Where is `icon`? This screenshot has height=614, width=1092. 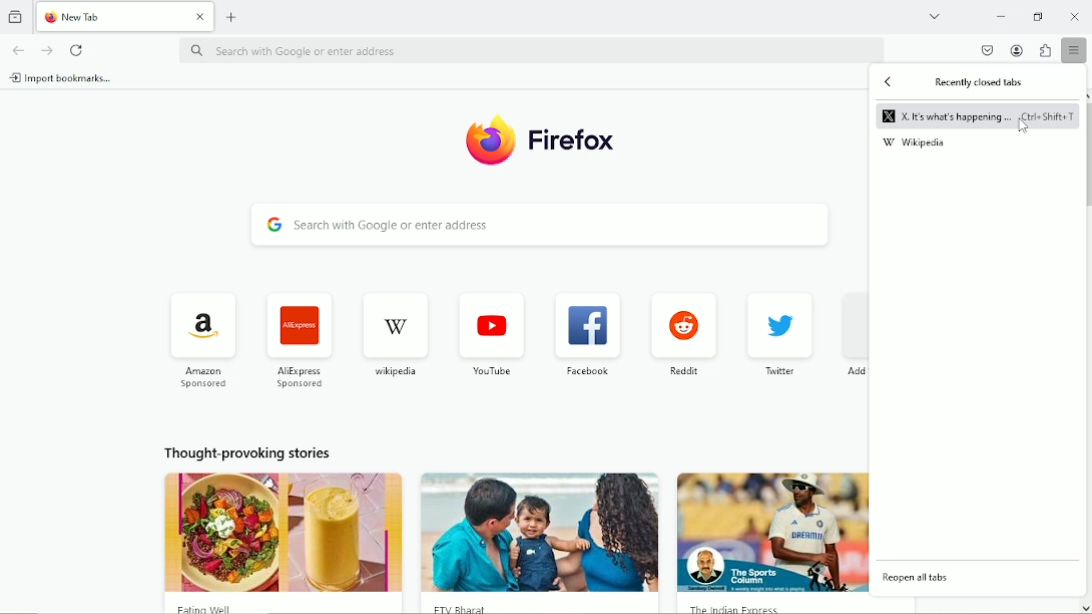
icon is located at coordinates (488, 140).